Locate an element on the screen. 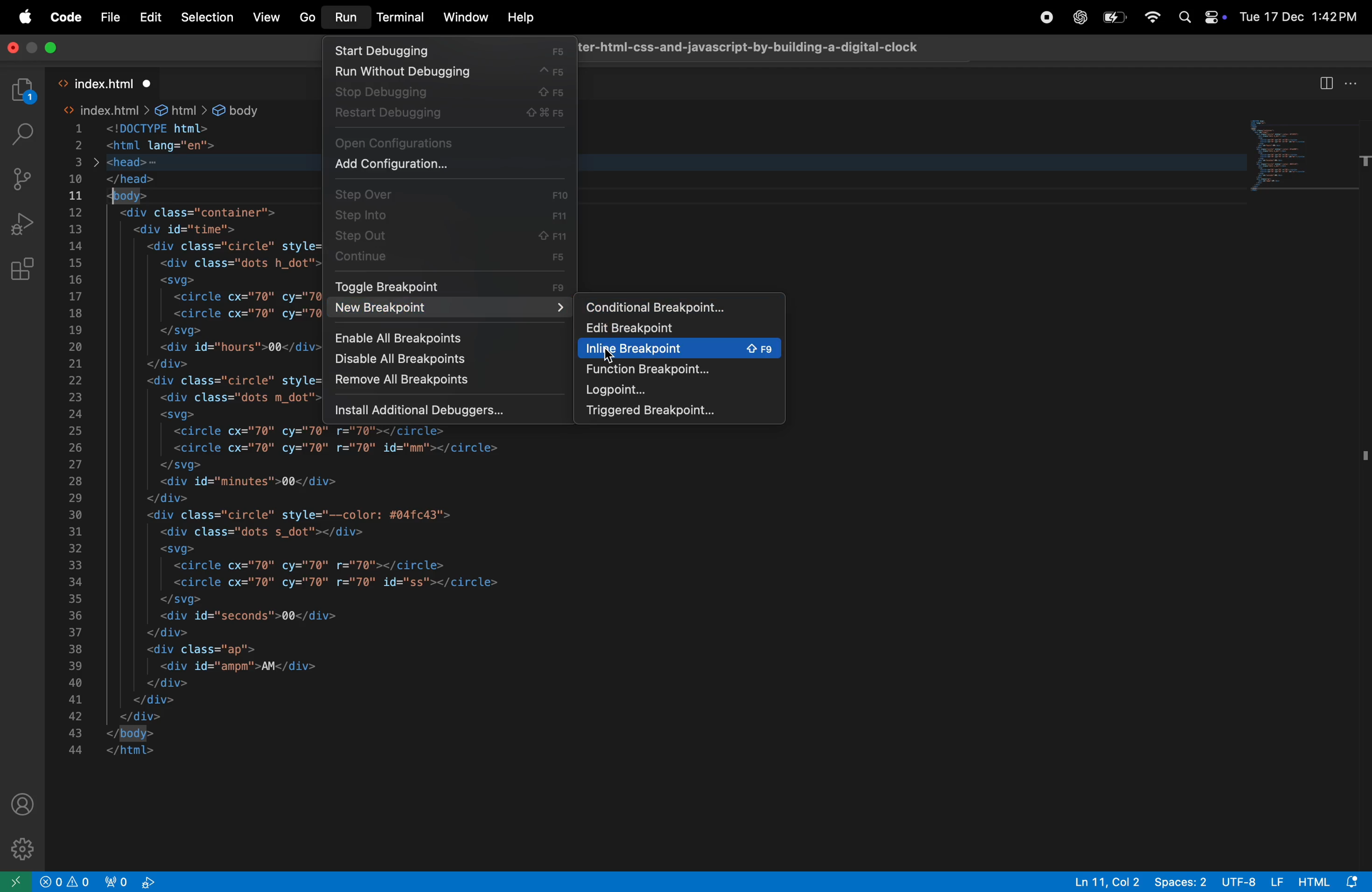 This screenshot has height=892, width=1372. File is located at coordinates (110, 18).